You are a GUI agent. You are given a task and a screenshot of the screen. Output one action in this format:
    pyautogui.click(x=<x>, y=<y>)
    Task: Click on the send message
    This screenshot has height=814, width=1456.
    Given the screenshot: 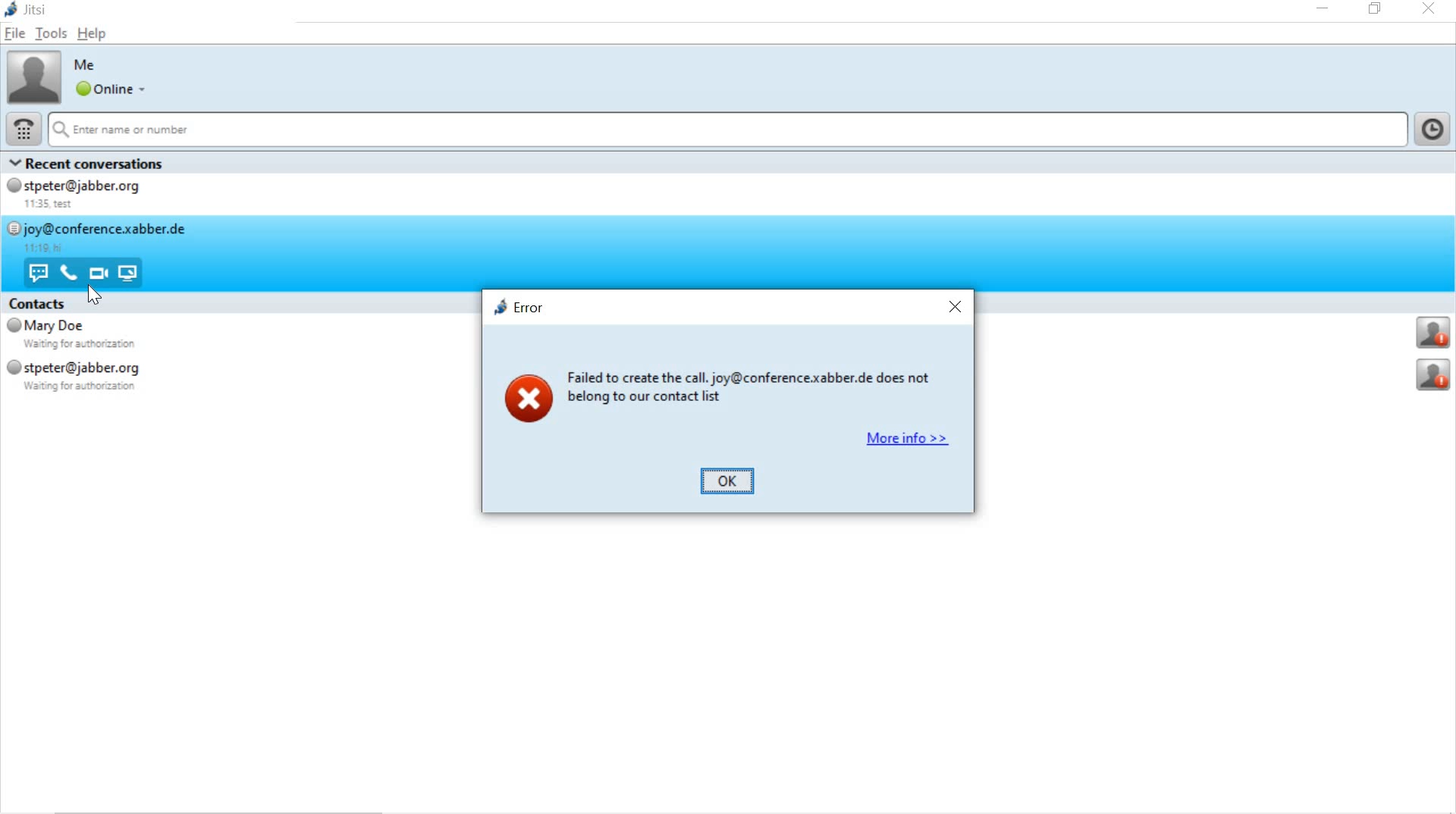 What is the action you would take?
    pyautogui.click(x=37, y=272)
    